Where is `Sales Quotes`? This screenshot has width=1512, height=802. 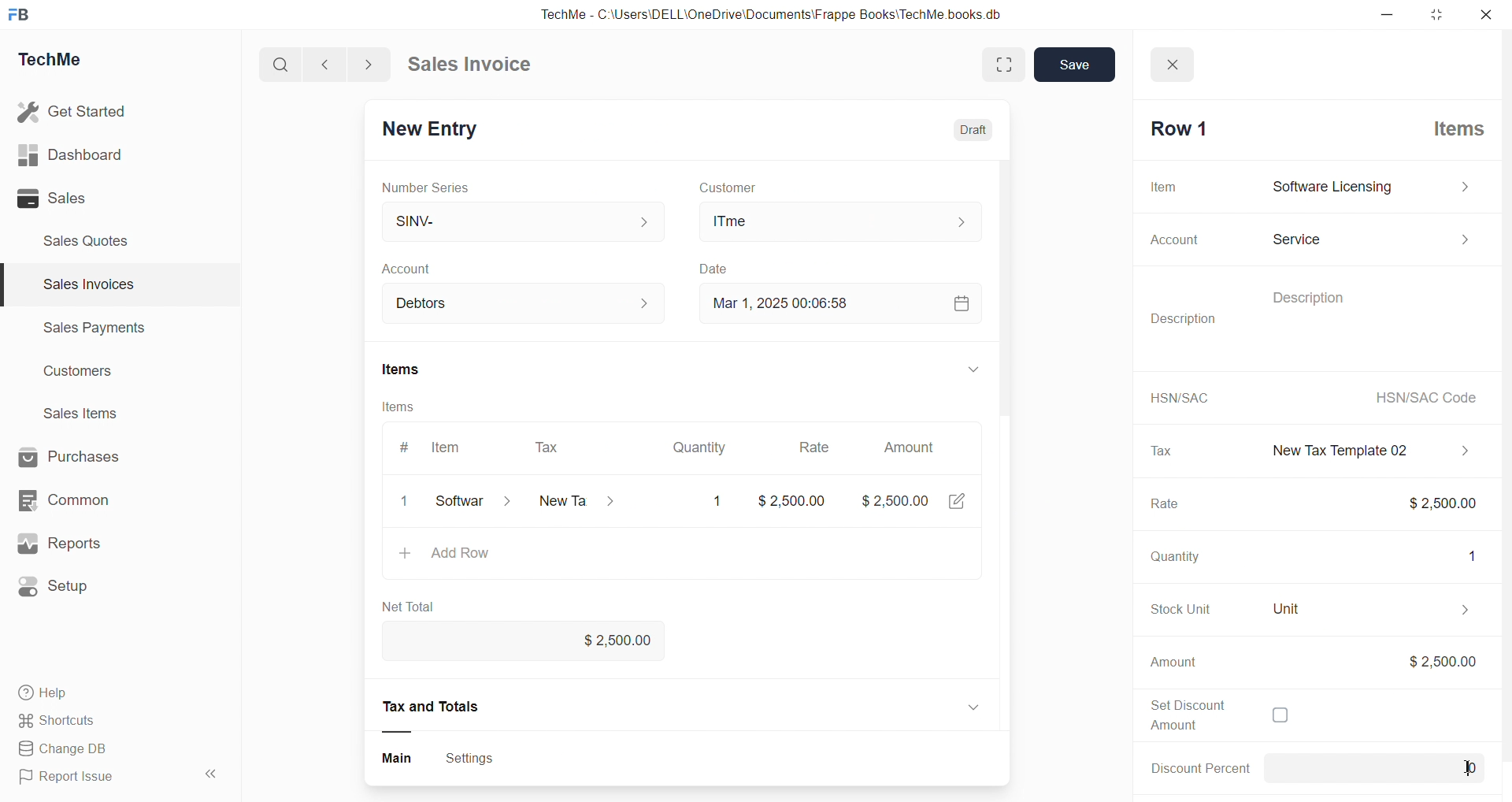 Sales Quotes is located at coordinates (92, 240).